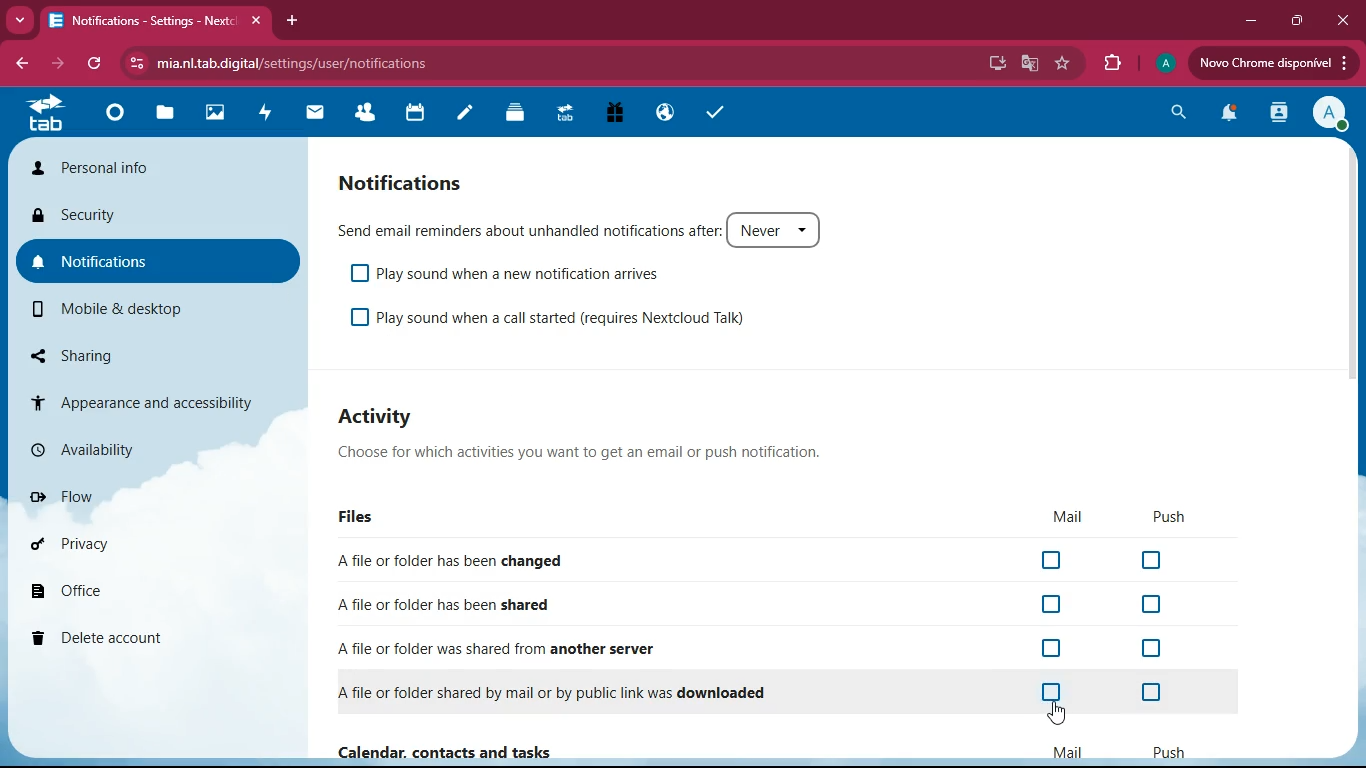 This screenshot has height=768, width=1366. What do you see at coordinates (1153, 605) in the screenshot?
I see `off` at bounding box center [1153, 605].